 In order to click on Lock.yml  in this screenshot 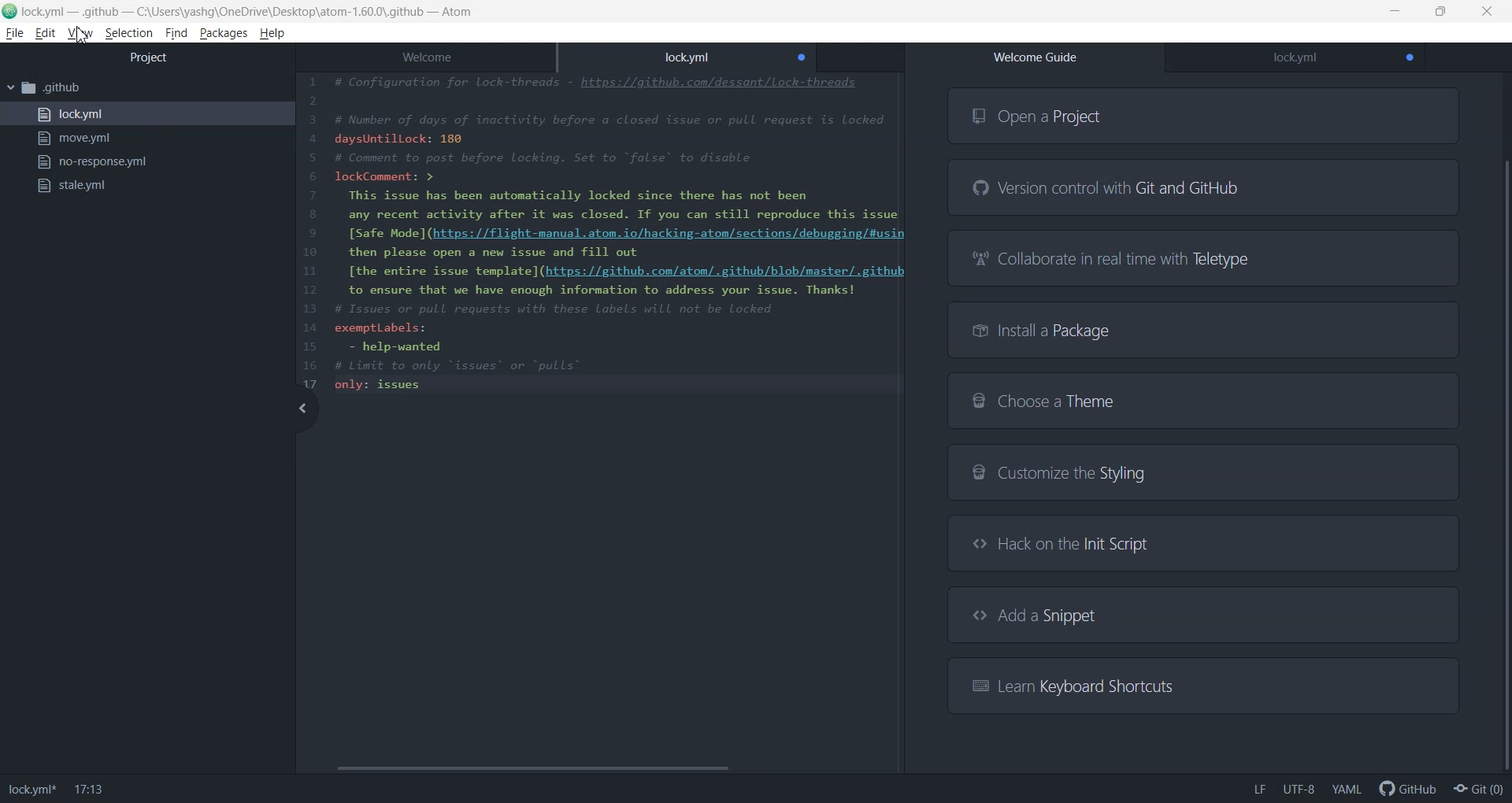, I will do `click(687, 54)`.